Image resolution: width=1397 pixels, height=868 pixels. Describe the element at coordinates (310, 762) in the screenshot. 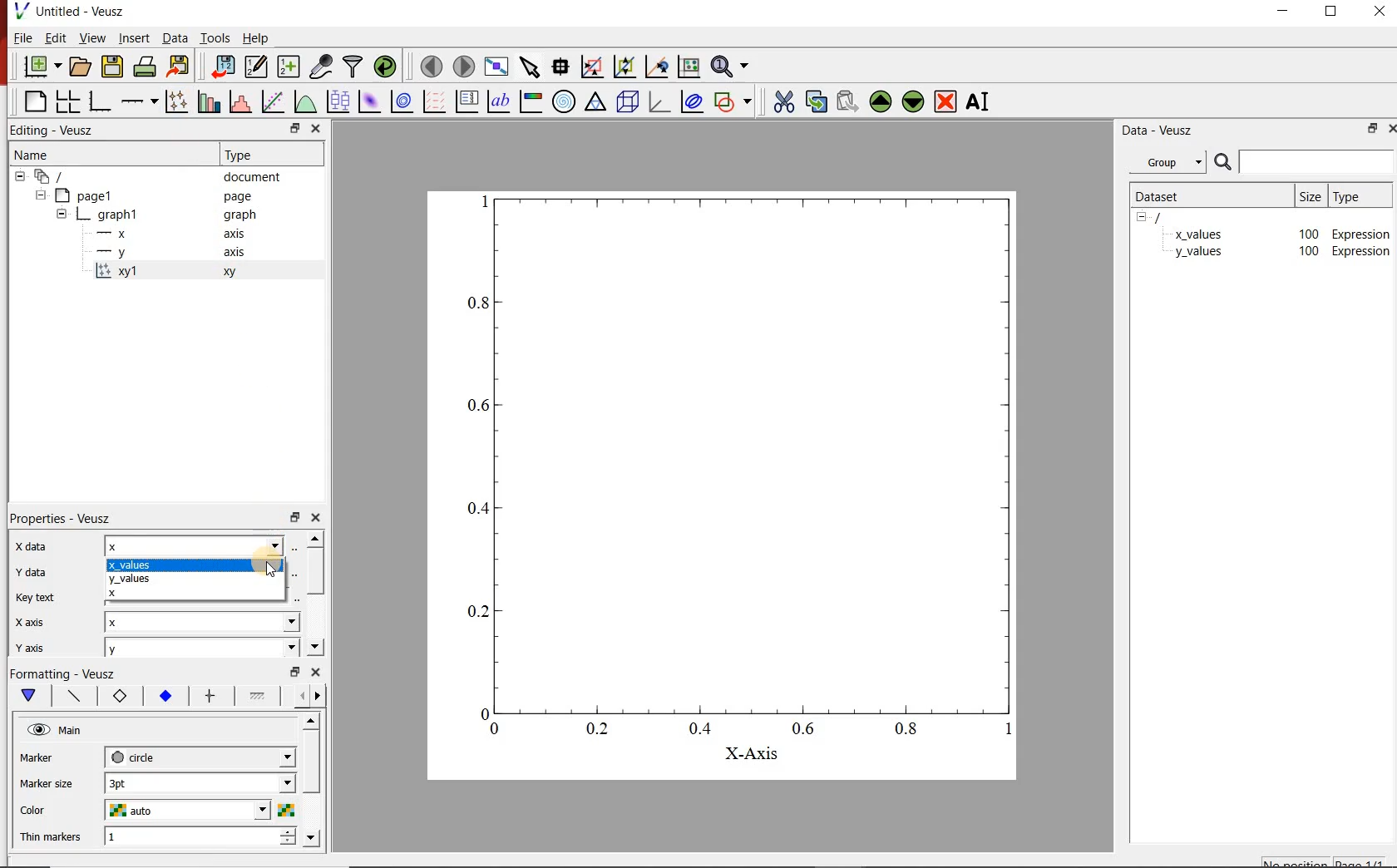

I see `vertical scrollbar` at that location.